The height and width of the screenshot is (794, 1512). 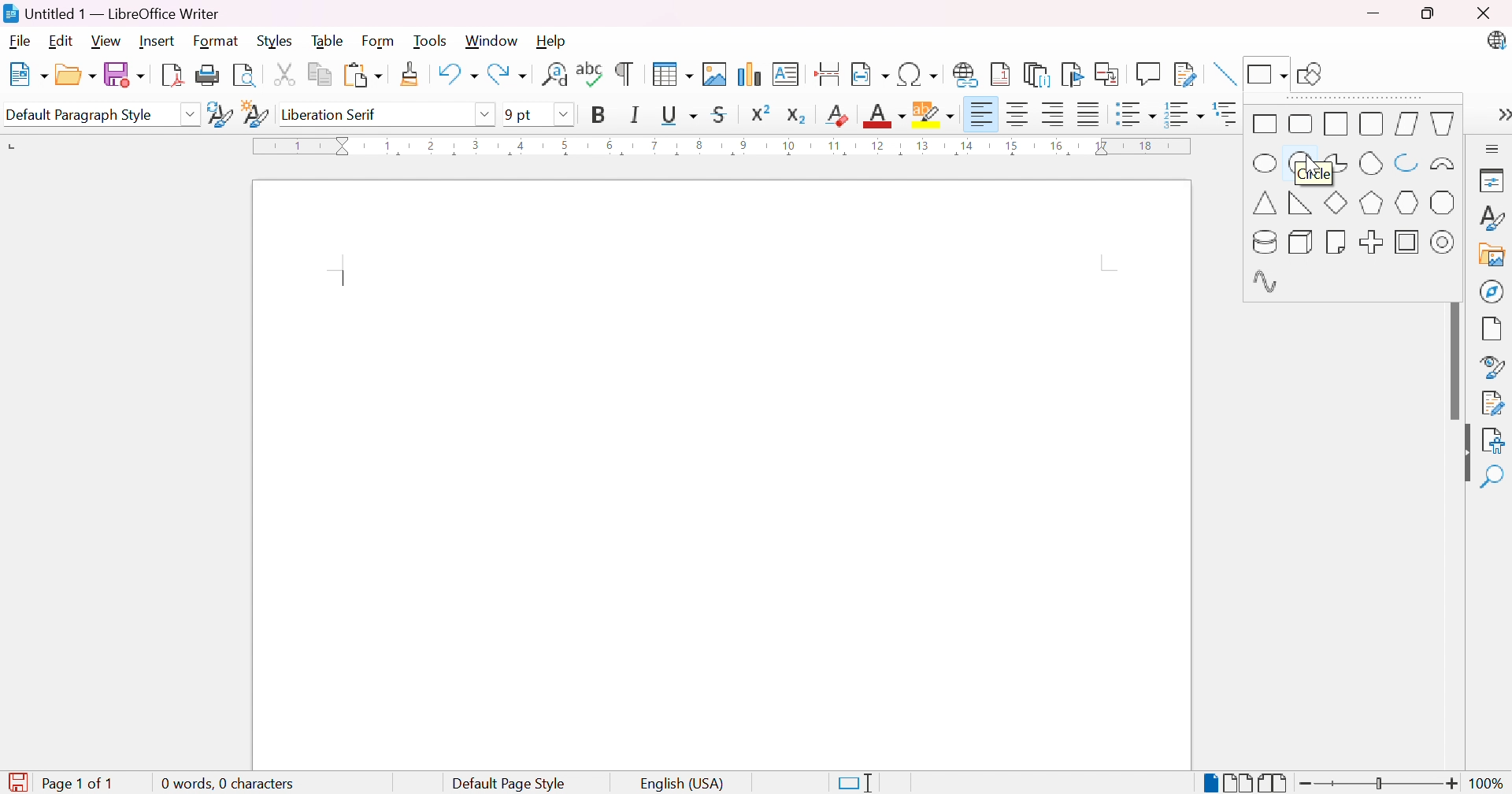 I want to click on Update selected style, so click(x=221, y=115).